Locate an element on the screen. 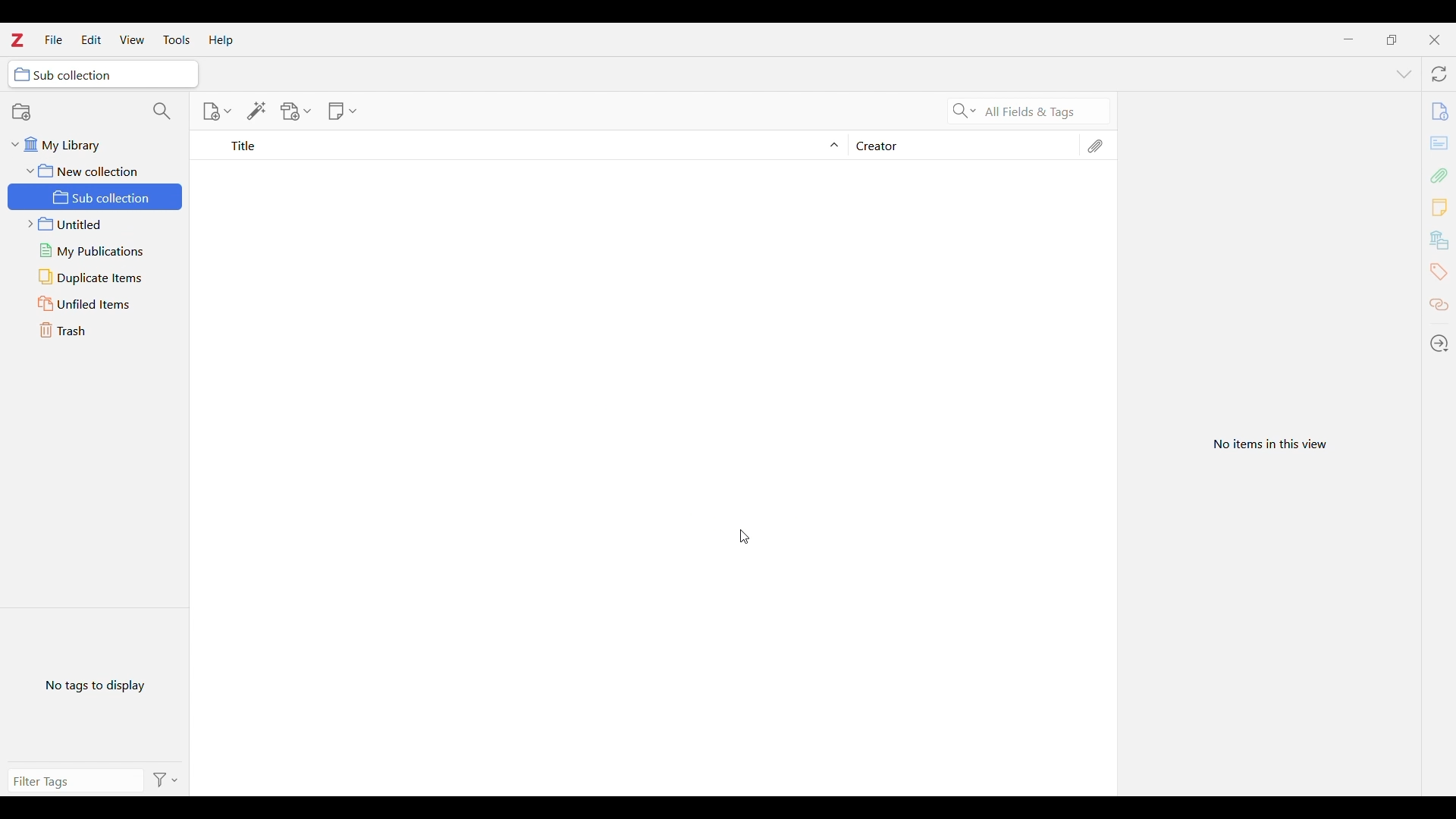 The image size is (1456, 819). Cursor position unchanged is located at coordinates (745, 537).